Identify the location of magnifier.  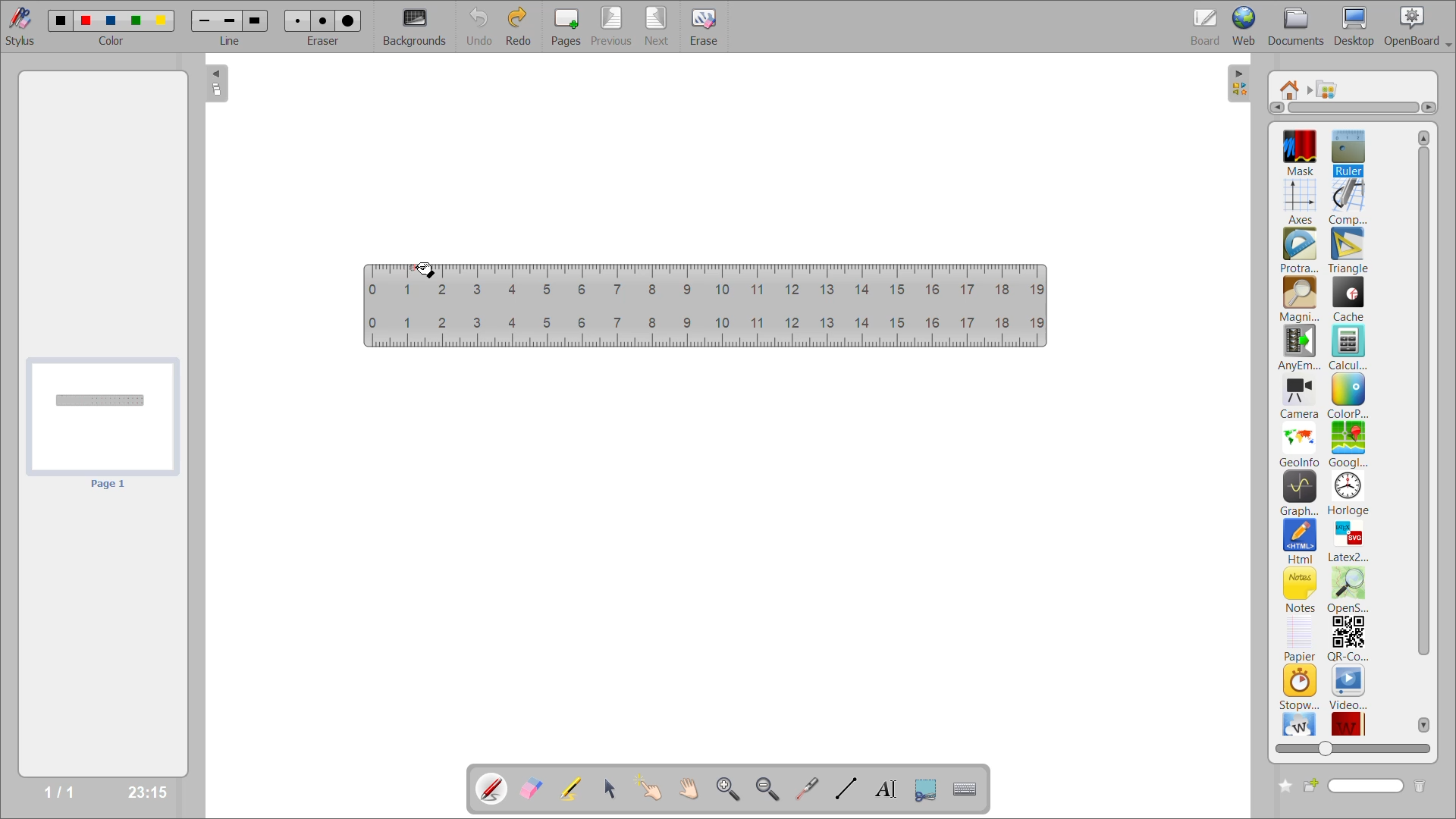
(1299, 300).